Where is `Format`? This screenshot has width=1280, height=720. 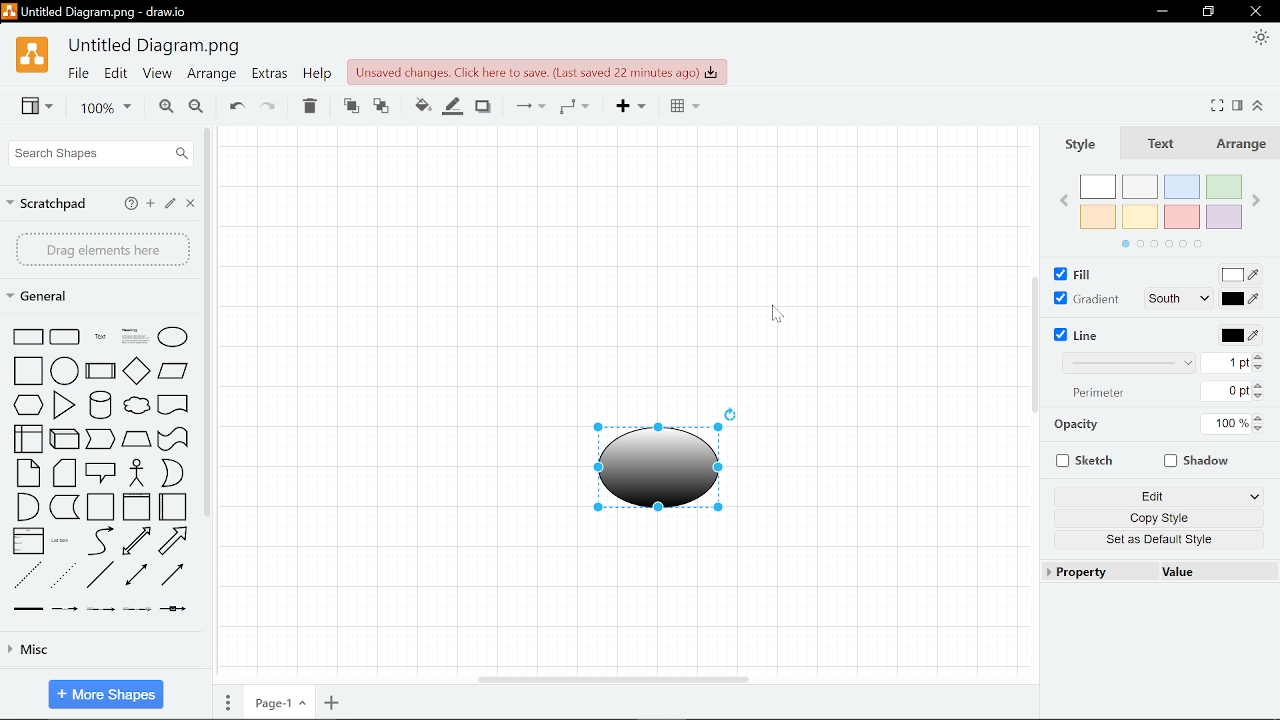
Format is located at coordinates (1238, 107).